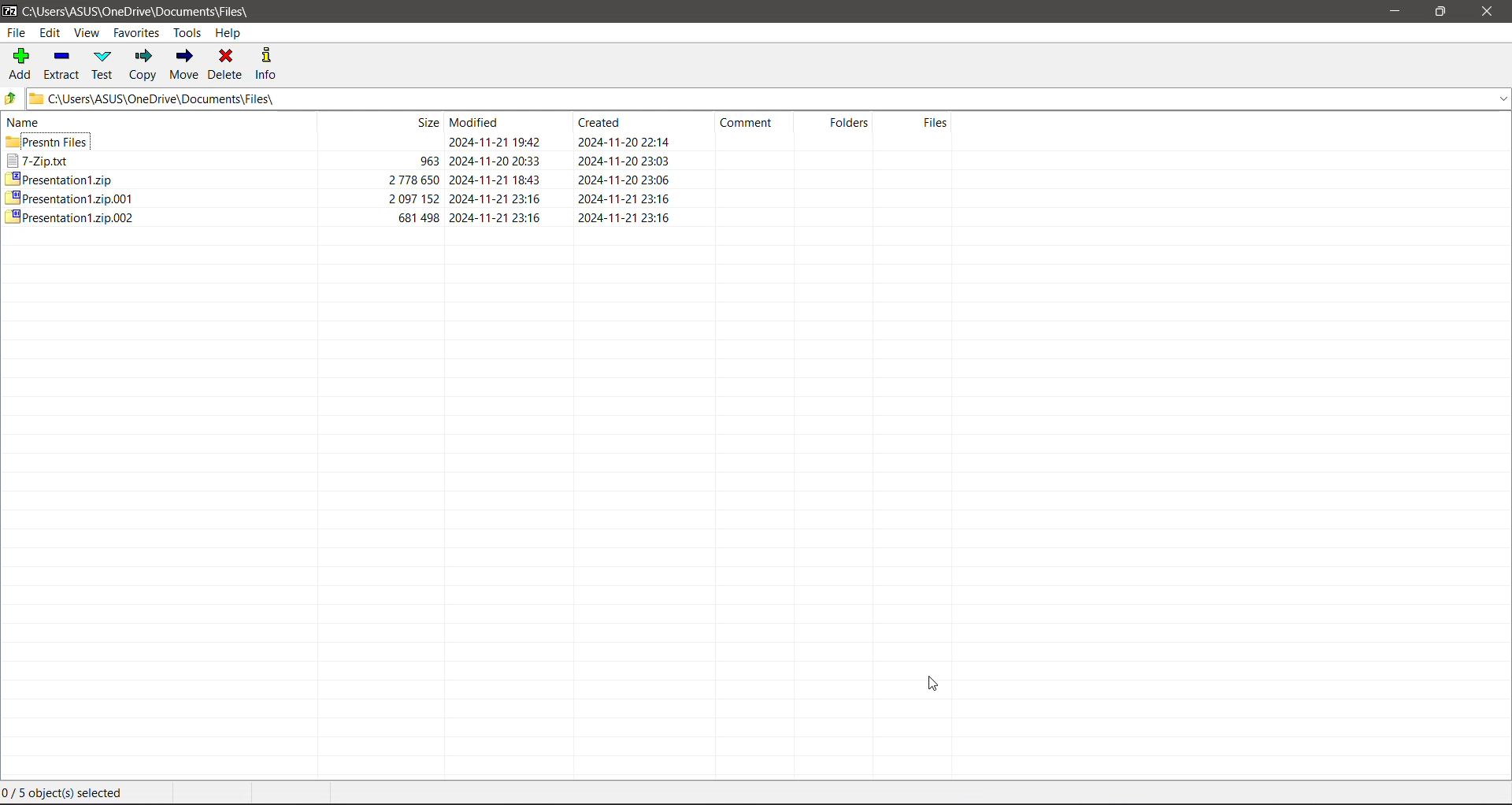  What do you see at coordinates (549, 201) in the screenshot?
I see `2097 152 2024-11-21 23:16 2024-11-21 23:16` at bounding box center [549, 201].